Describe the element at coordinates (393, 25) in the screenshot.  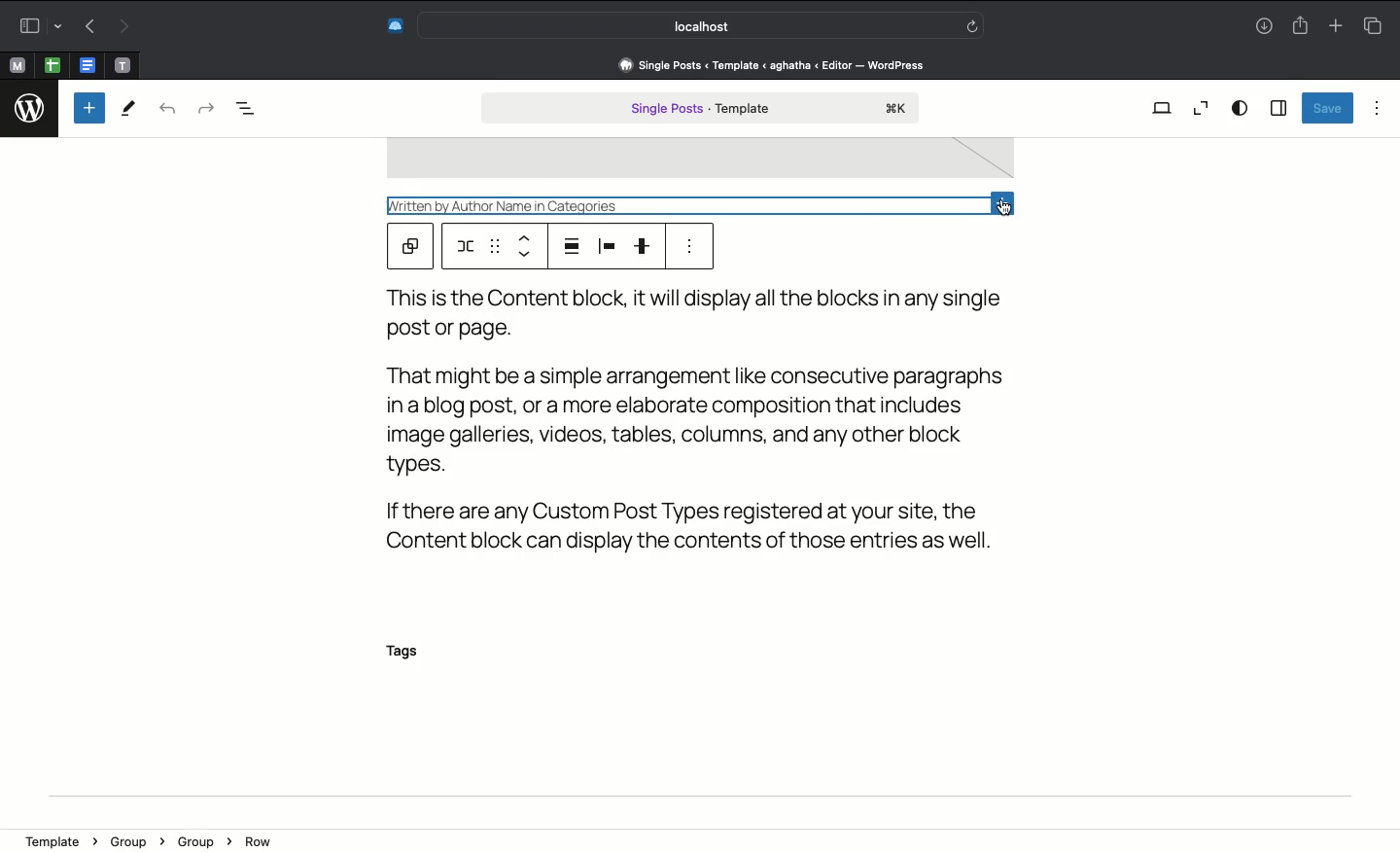
I see `Extensions` at that location.